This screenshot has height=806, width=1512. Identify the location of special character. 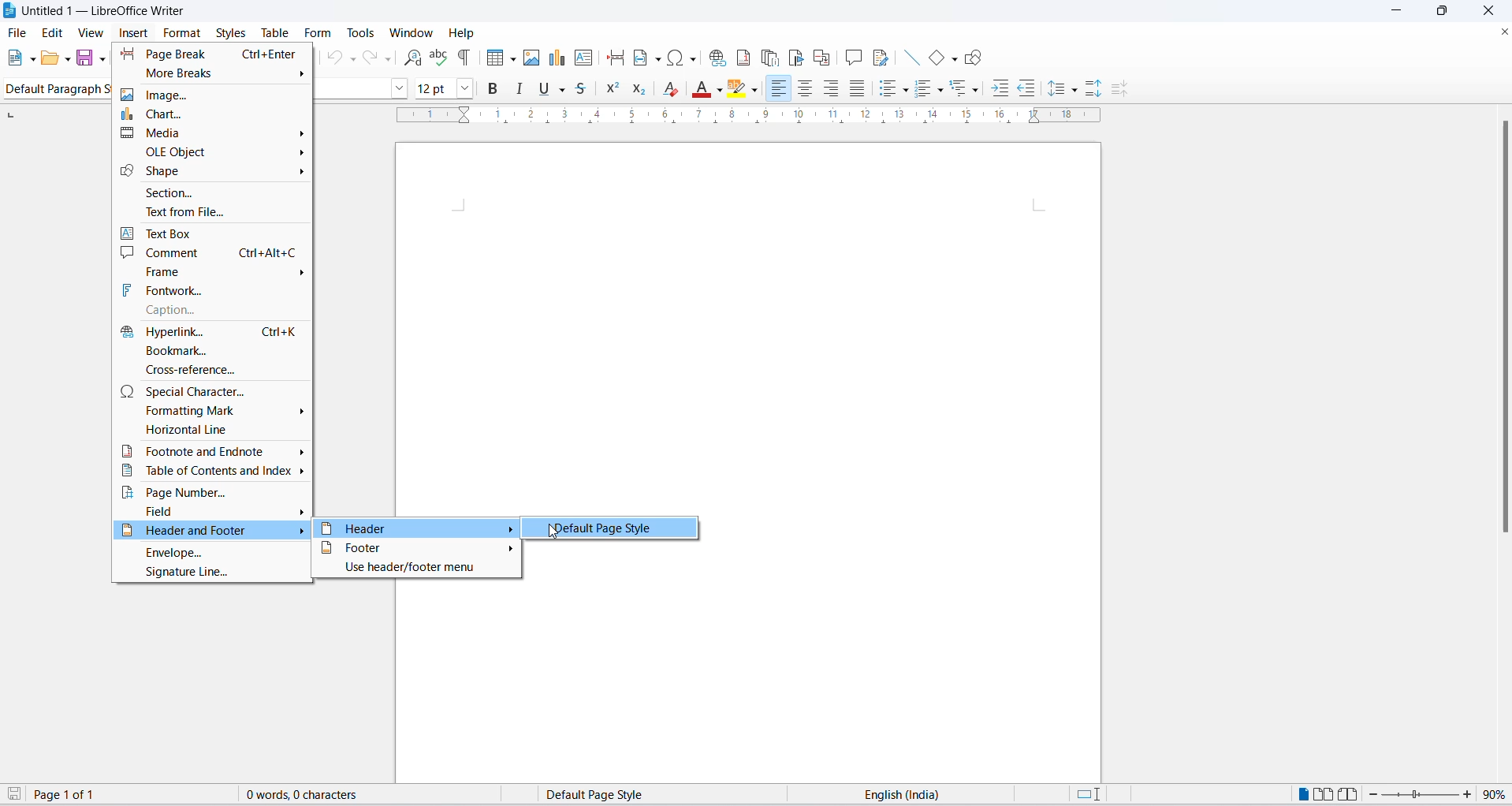
(212, 390).